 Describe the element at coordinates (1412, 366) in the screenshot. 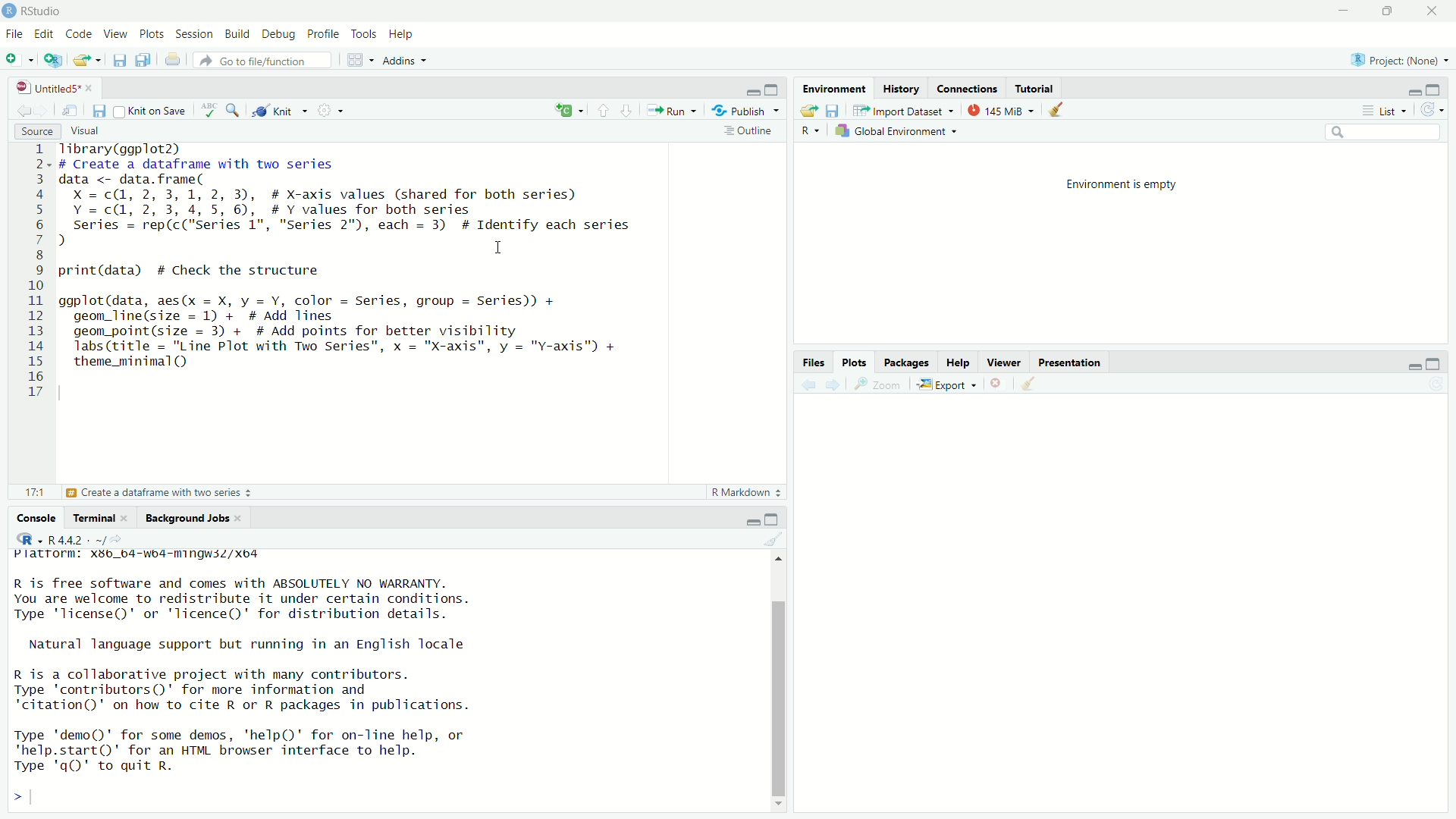

I see `minimize` at that location.